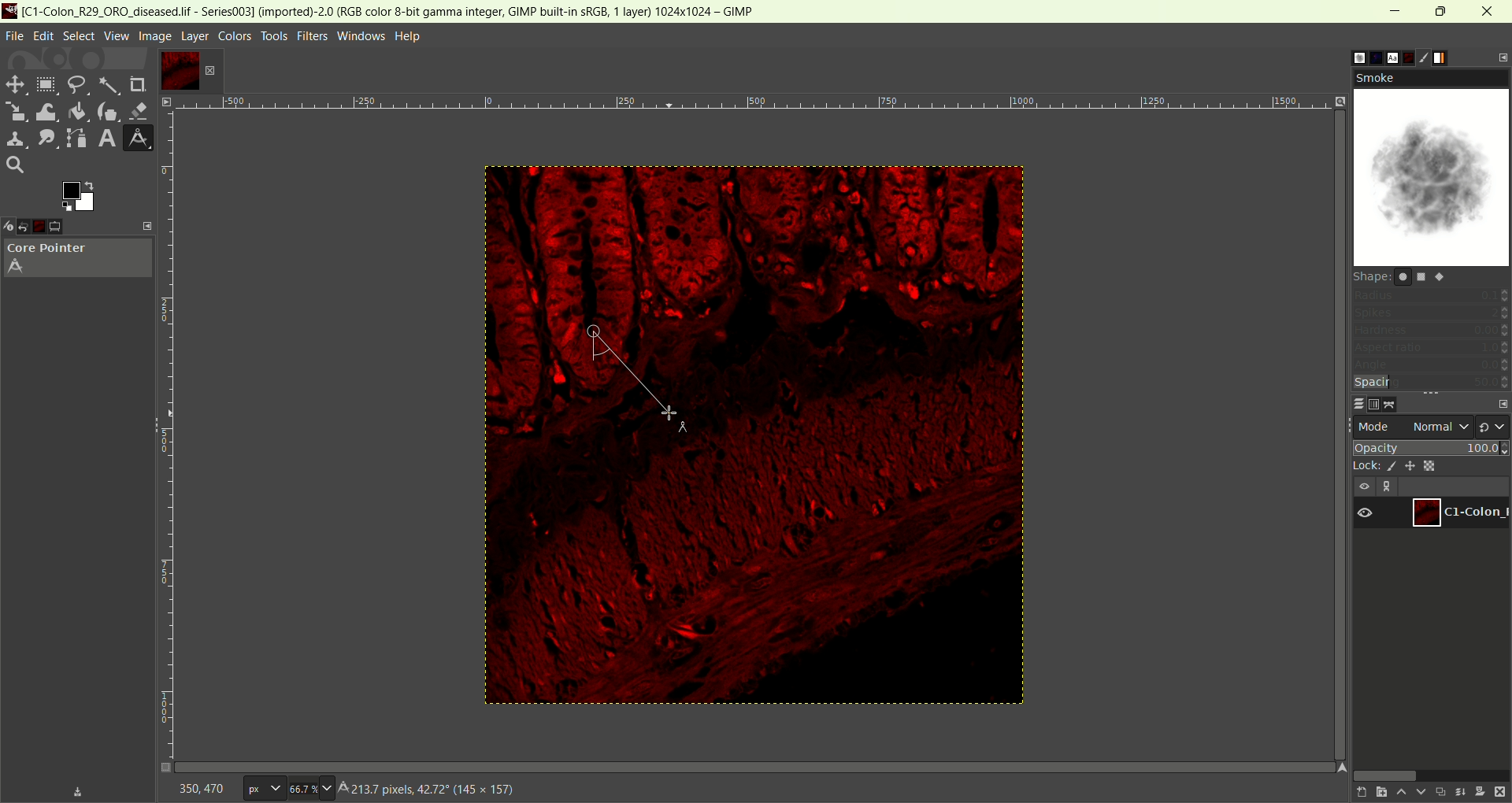  Describe the element at coordinates (76, 111) in the screenshot. I see `color bucket` at that location.